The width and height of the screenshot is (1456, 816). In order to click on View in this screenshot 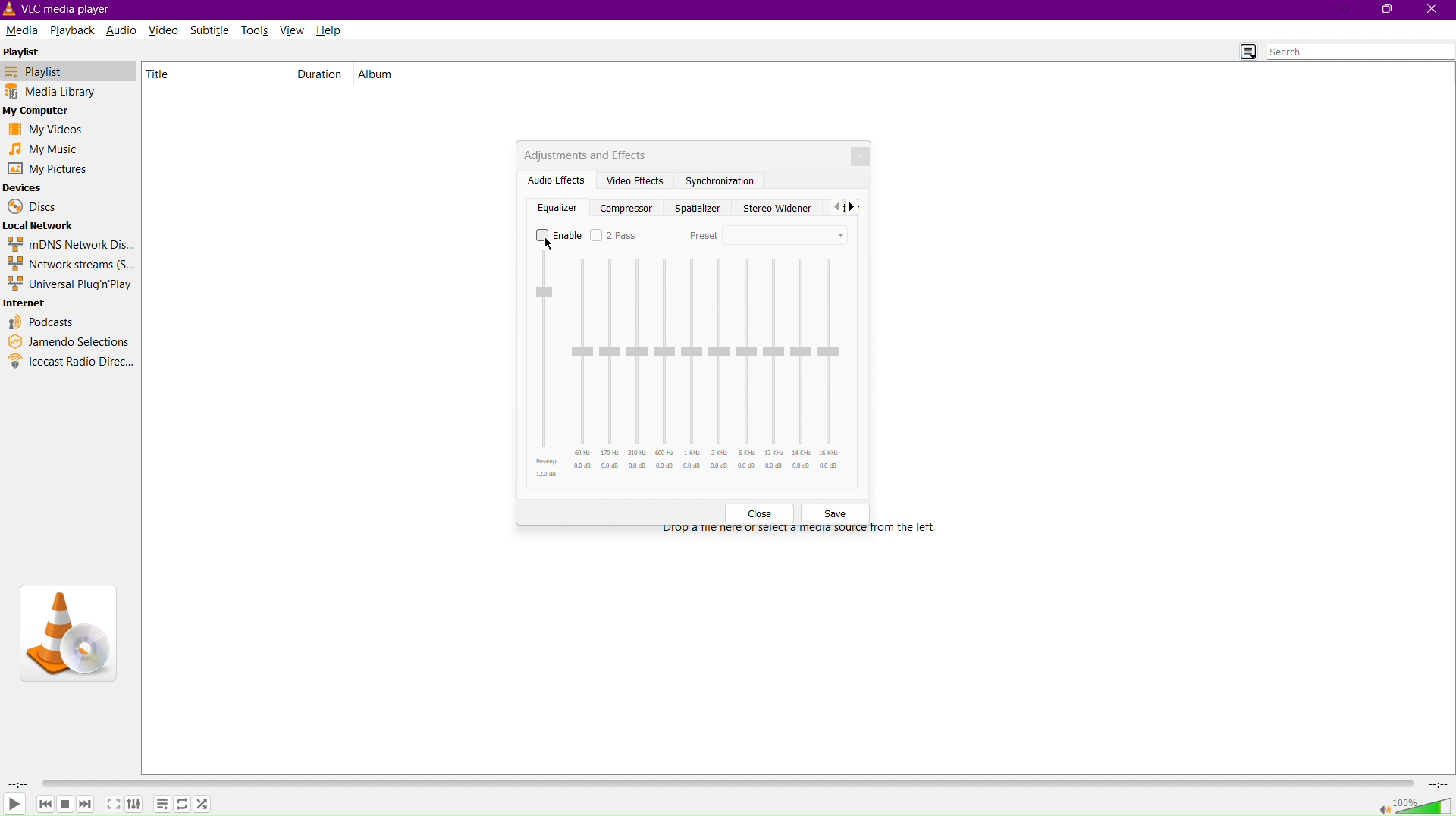, I will do `click(293, 29)`.